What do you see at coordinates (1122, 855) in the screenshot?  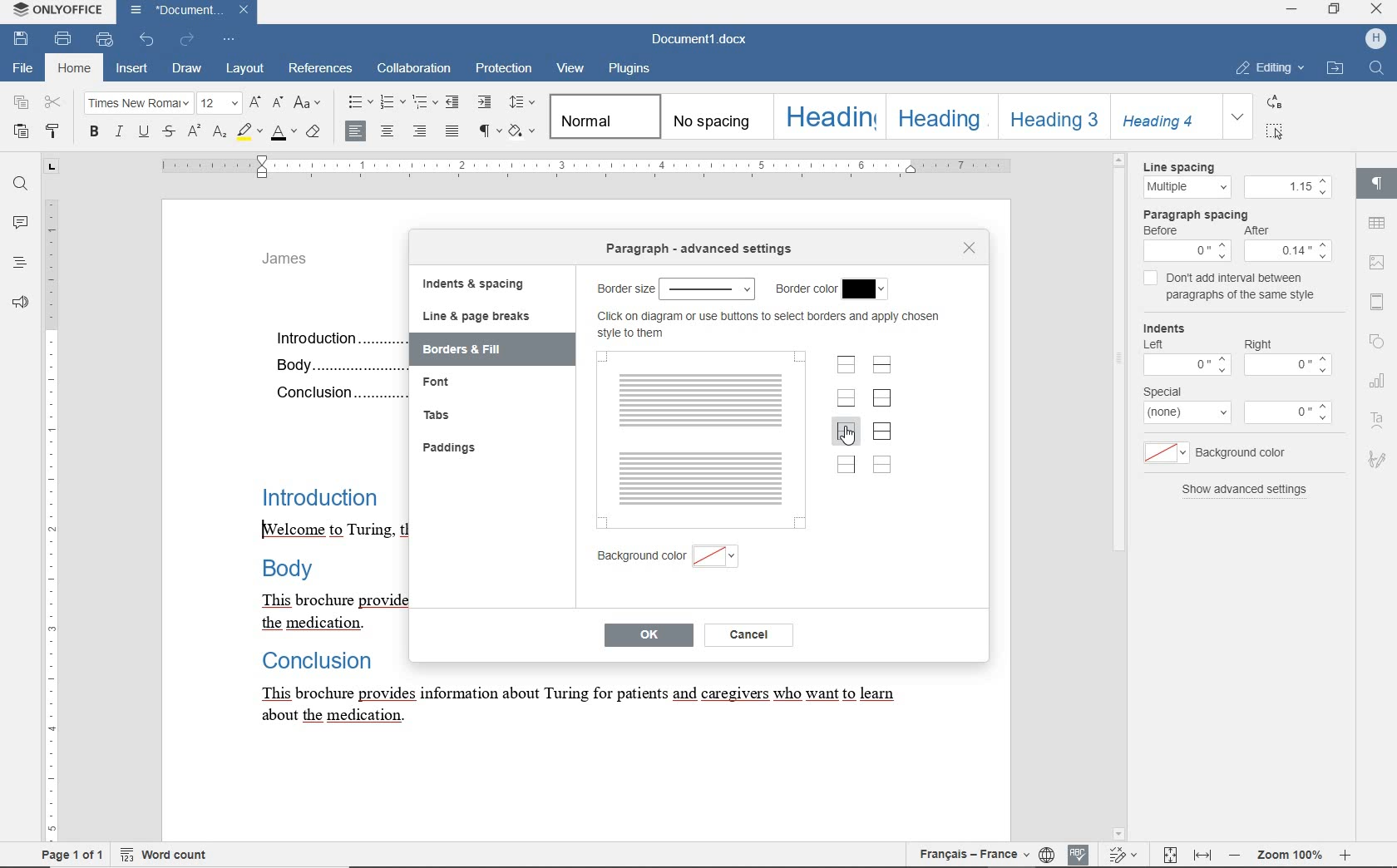 I see `fit to page` at bounding box center [1122, 855].